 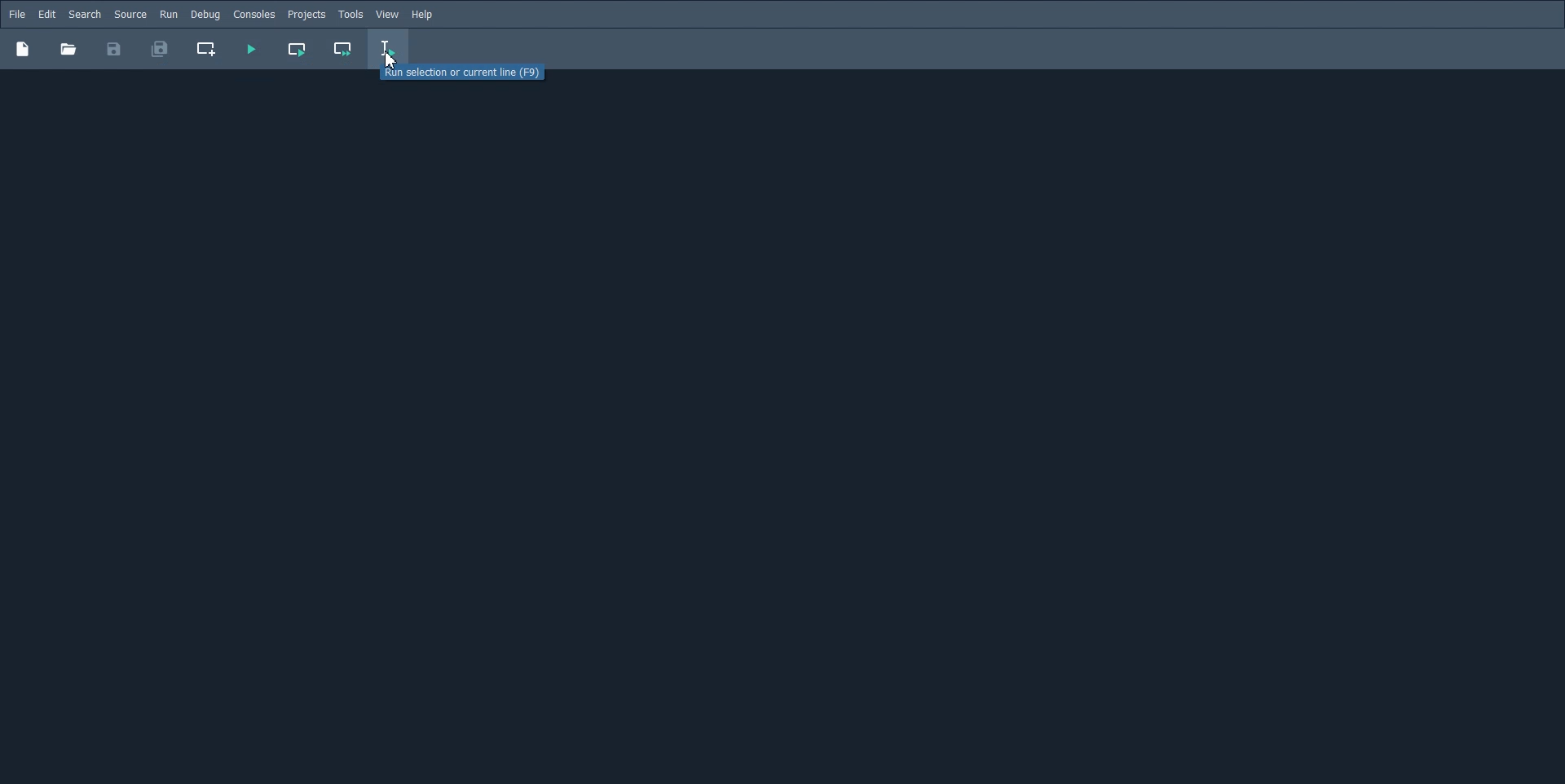 I want to click on Run File, so click(x=250, y=49).